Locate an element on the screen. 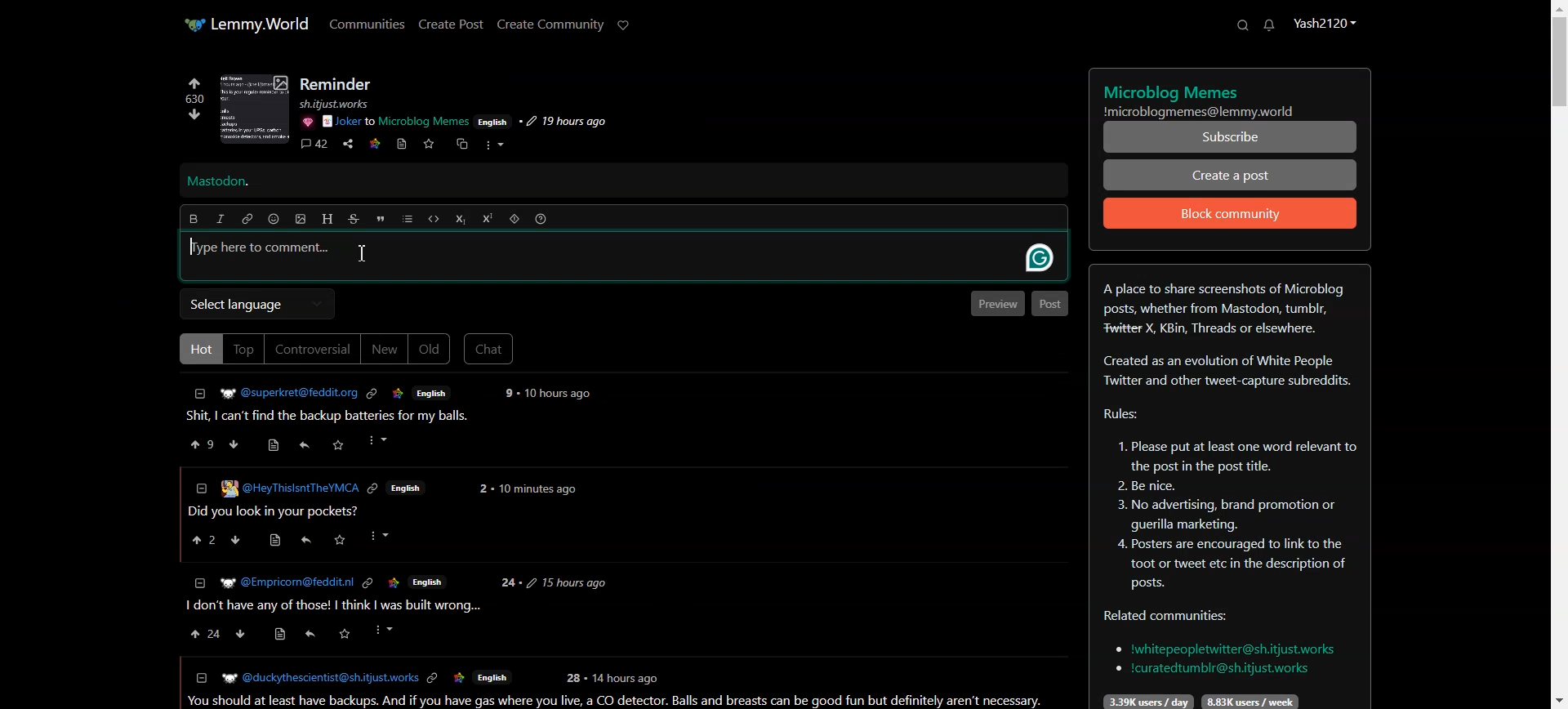 The height and width of the screenshot is (709, 1568). Header is located at coordinates (327, 219).